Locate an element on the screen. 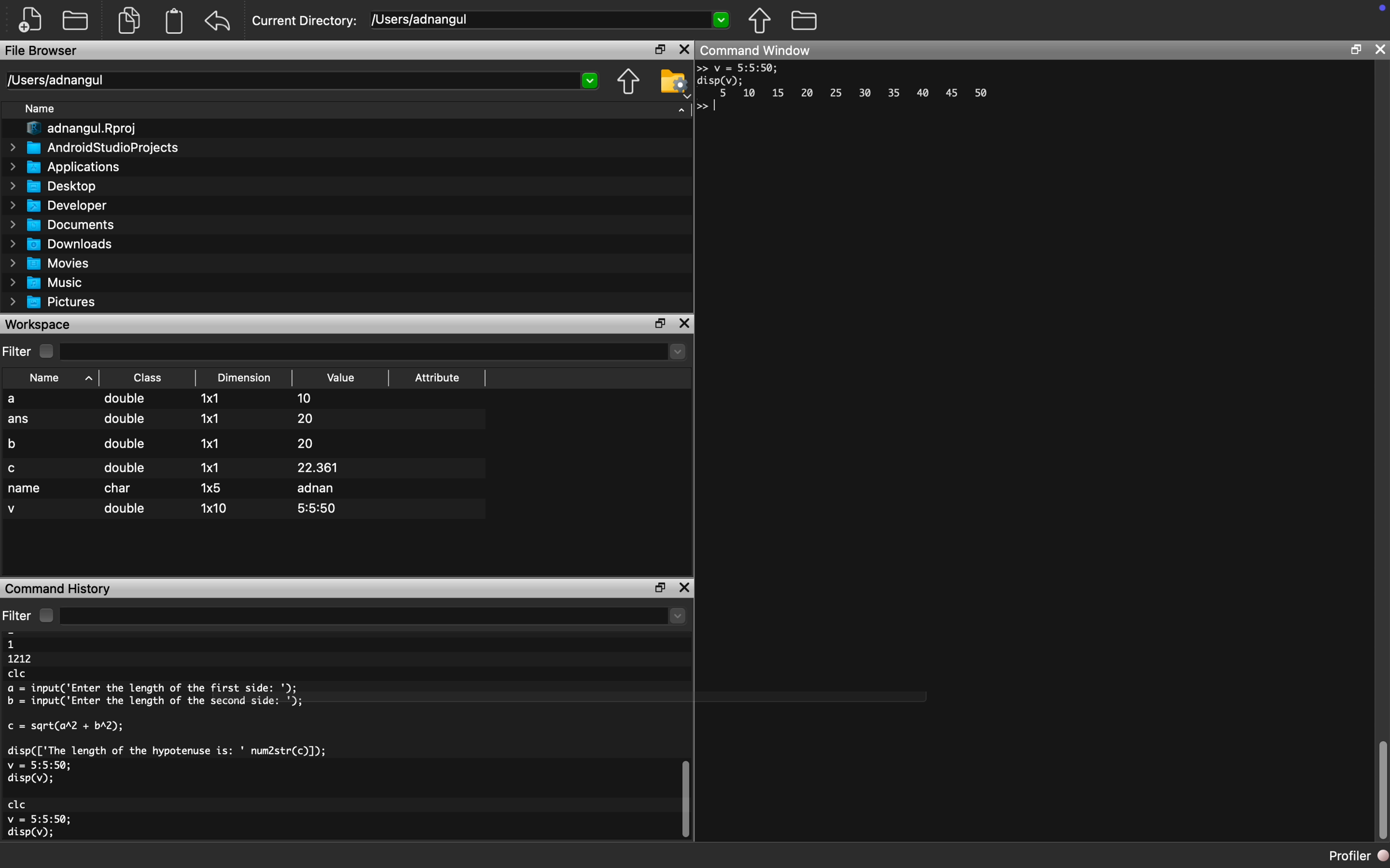 This screenshot has width=1390, height=868. scroll bar is located at coordinates (686, 797).